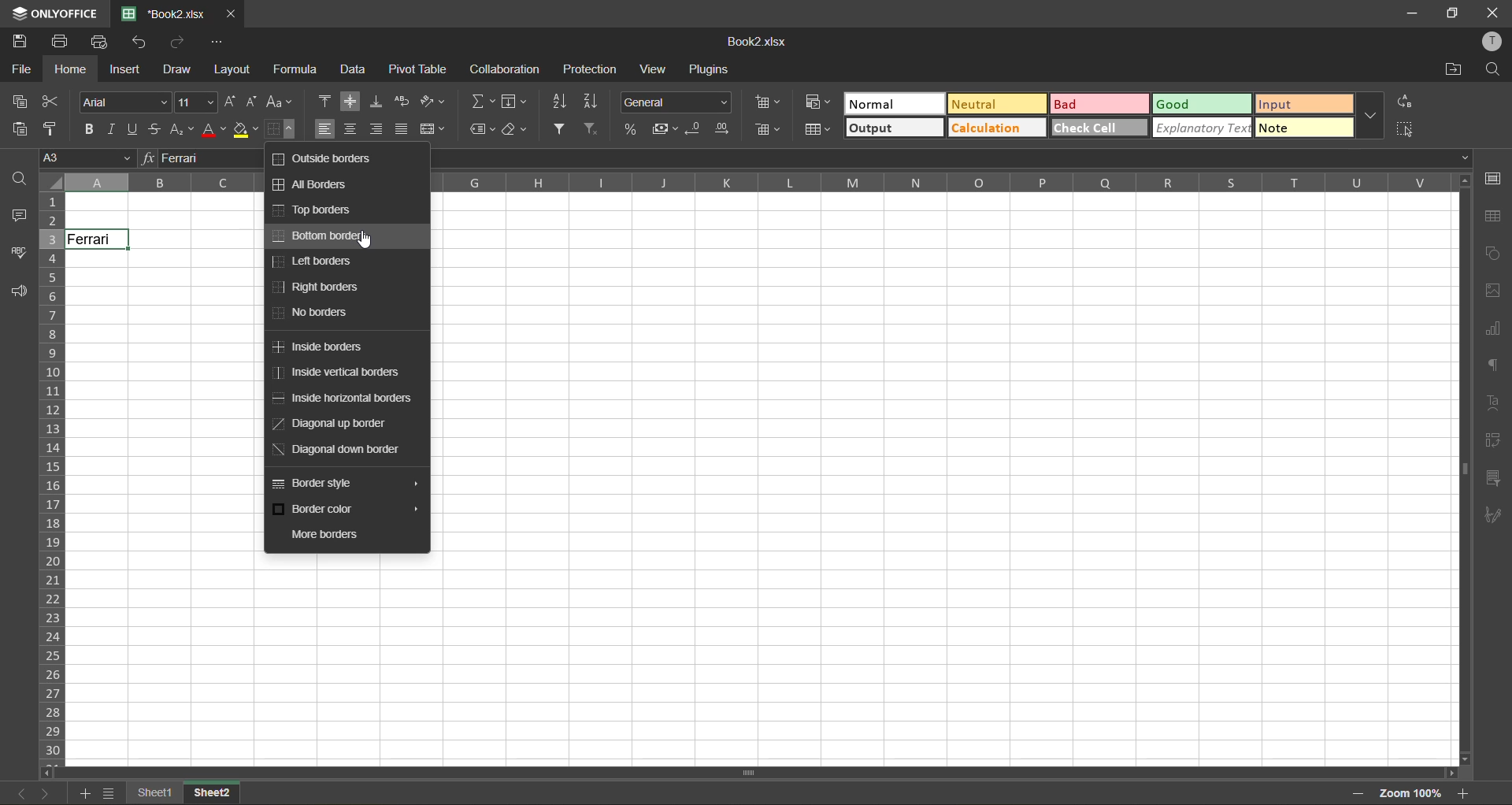  I want to click on strikethrough, so click(157, 131).